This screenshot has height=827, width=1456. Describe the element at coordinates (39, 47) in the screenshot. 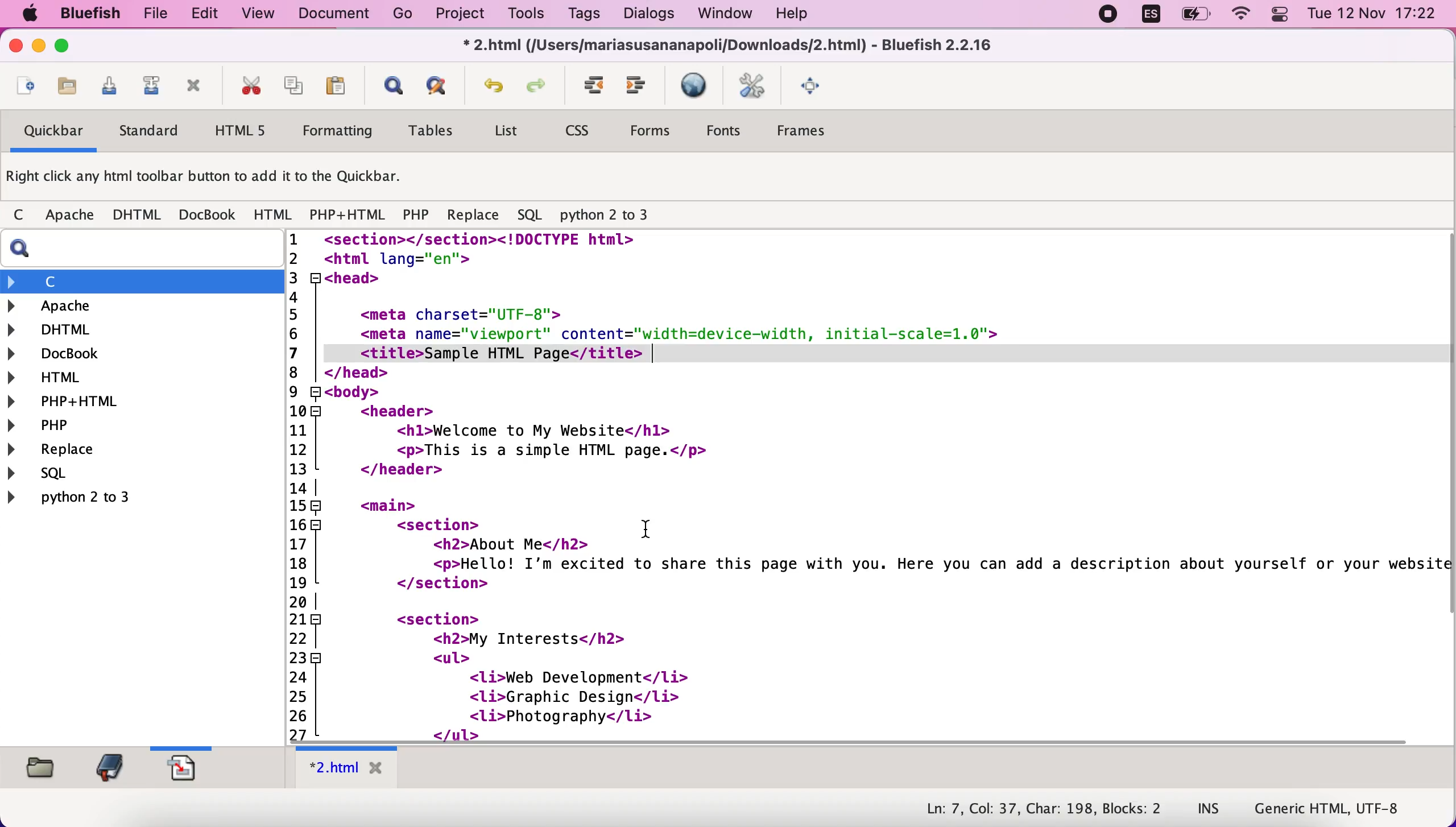

I see `minimize` at that location.